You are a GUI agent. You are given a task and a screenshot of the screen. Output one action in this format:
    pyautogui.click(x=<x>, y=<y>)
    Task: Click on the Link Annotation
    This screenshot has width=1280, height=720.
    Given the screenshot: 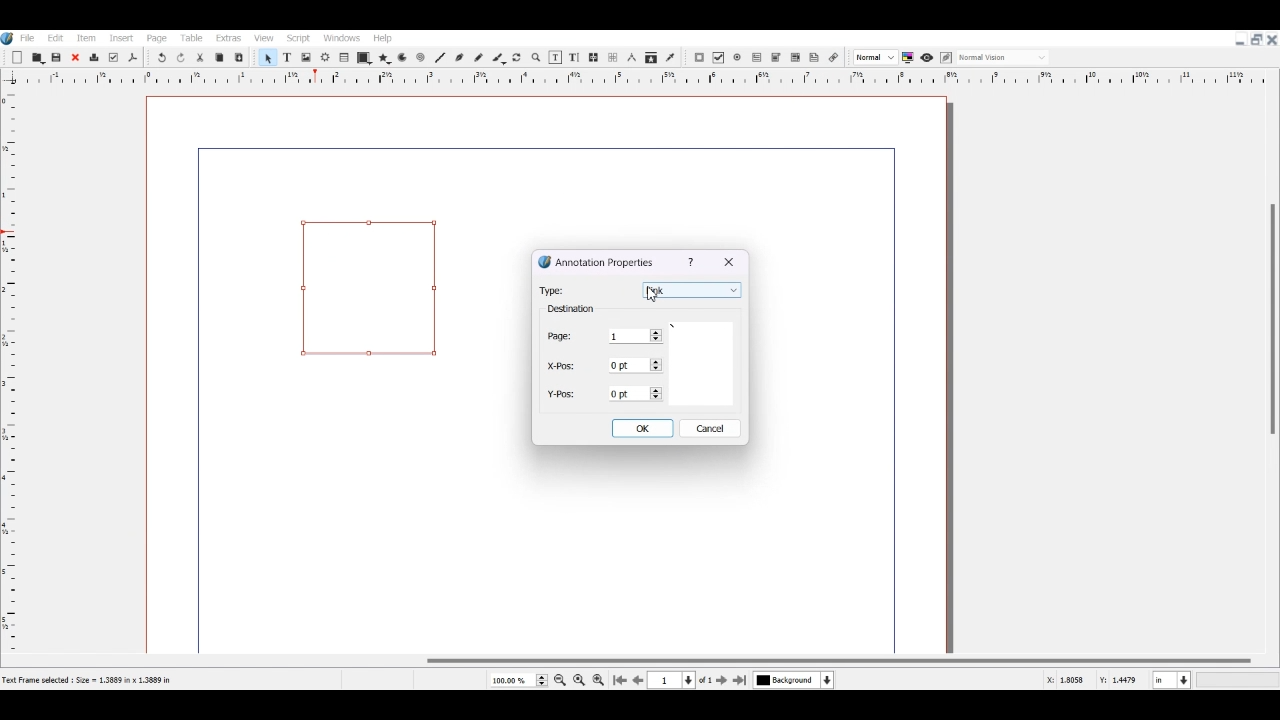 What is the action you would take?
    pyautogui.click(x=371, y=287)
    